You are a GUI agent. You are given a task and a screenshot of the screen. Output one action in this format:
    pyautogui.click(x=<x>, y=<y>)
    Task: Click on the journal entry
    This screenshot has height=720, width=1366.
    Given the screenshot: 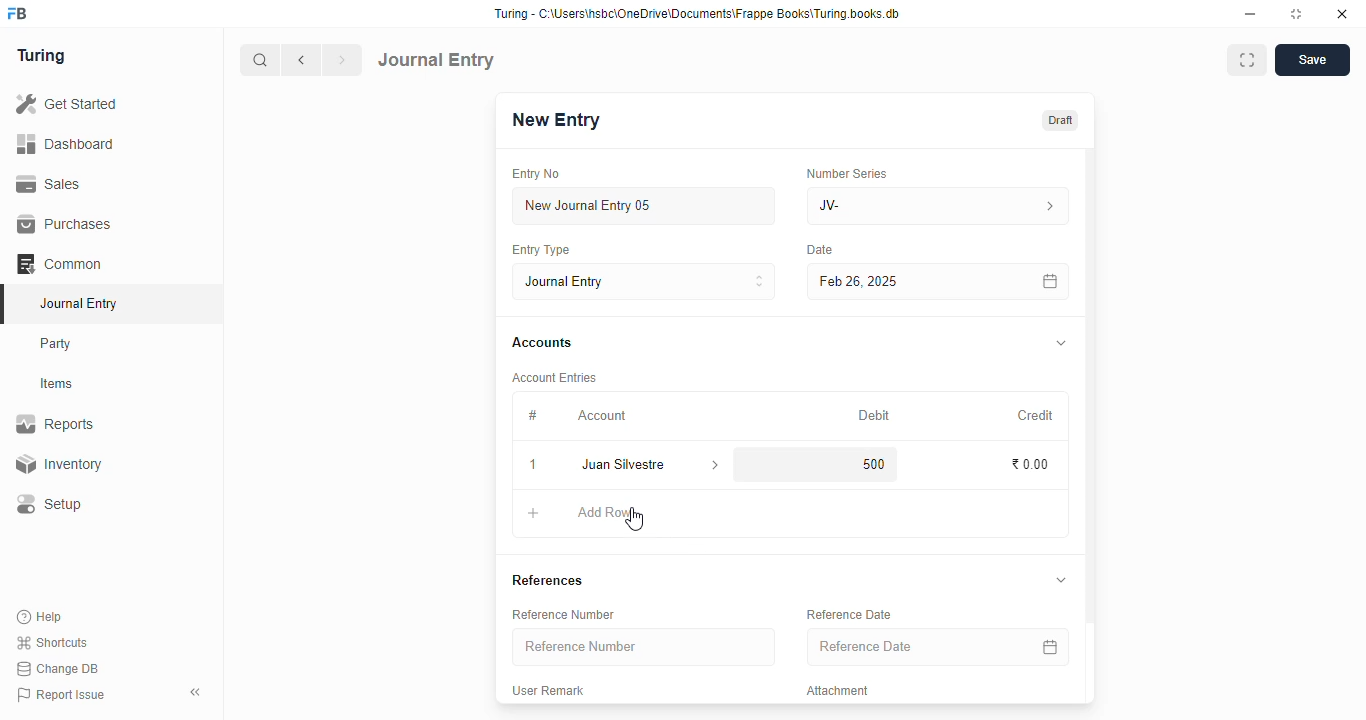 What is the action you would take?
    pyautogui.click(x=78, y=303)
    